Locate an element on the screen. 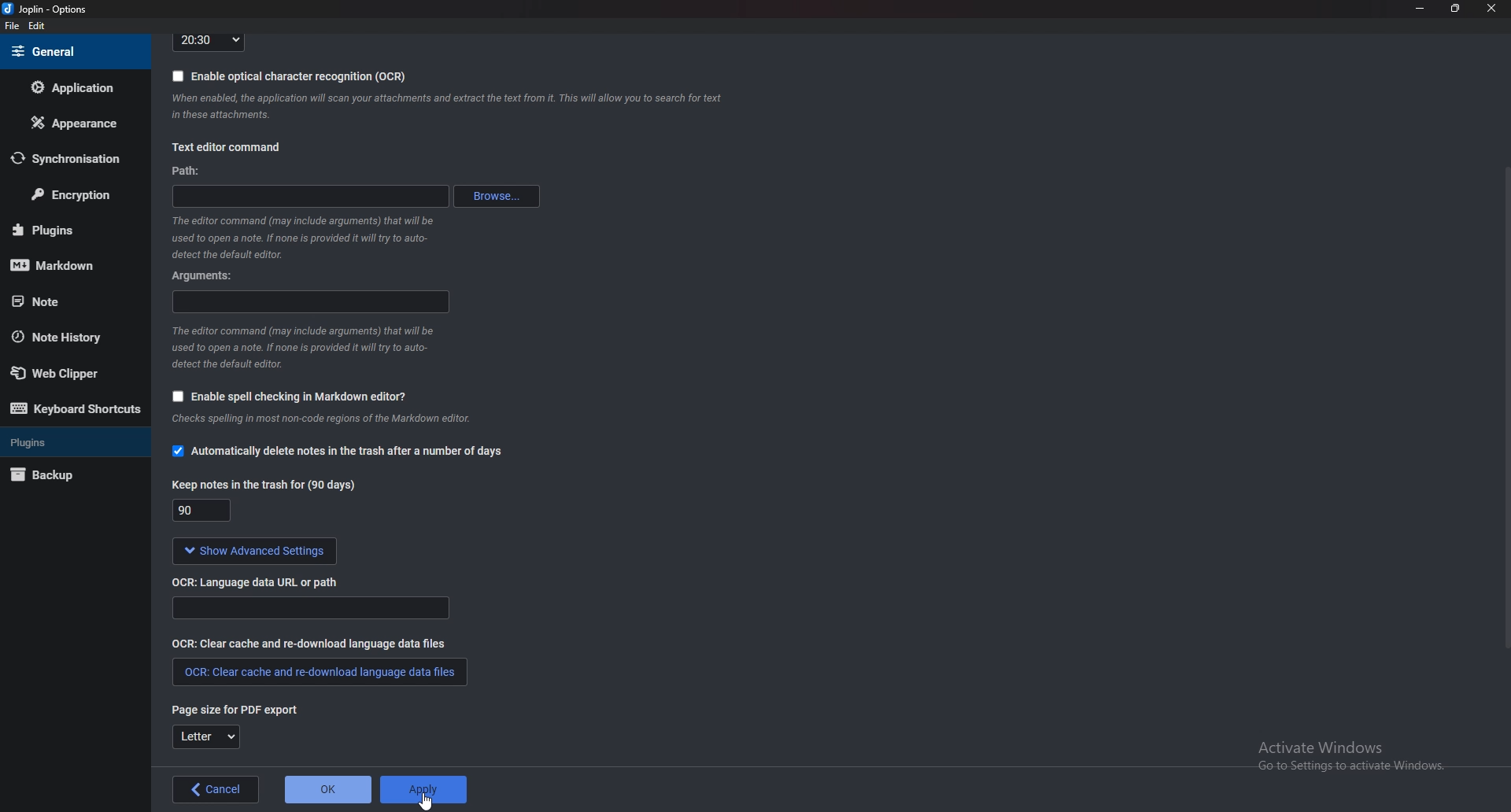  Letter is located at coordinates (206, 739).